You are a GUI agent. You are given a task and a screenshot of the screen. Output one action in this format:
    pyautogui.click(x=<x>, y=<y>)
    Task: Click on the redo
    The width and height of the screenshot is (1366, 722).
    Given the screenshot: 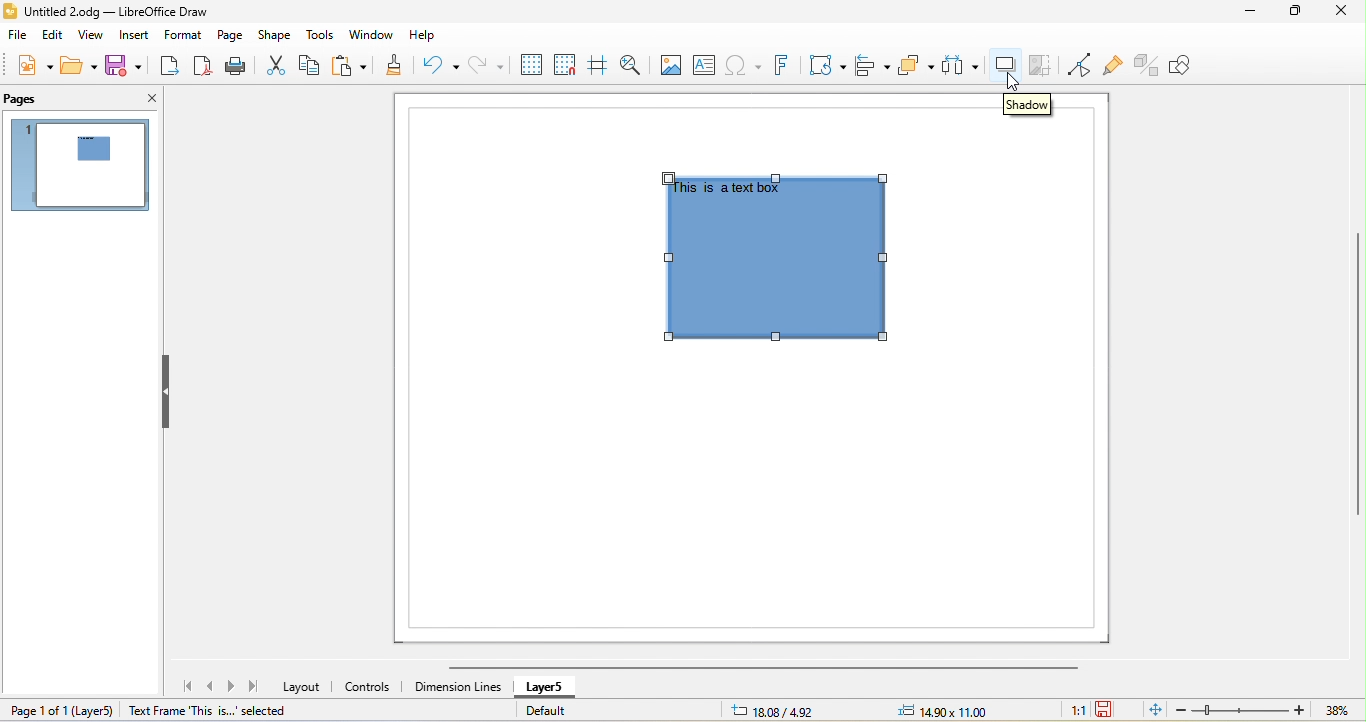 What is the action you would take?
    pyautogui.click(x=490, y=68)
    